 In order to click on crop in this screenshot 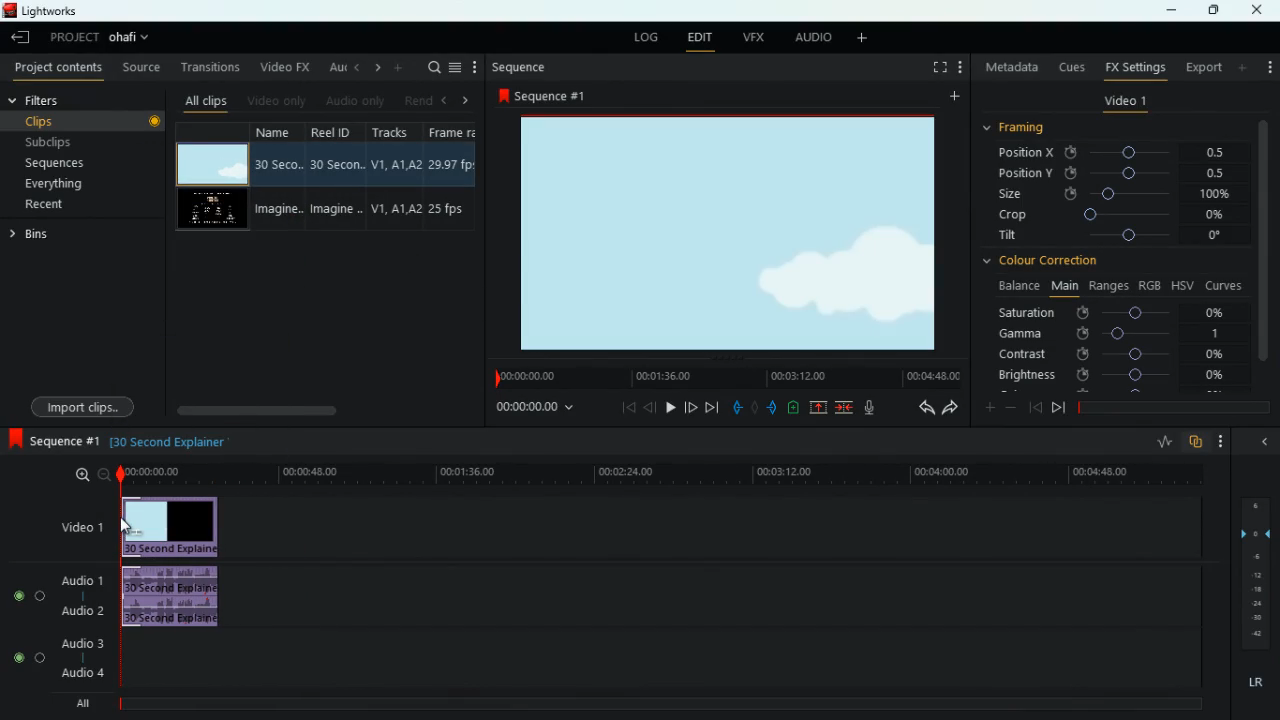, I will do `click(1109, 215)`.